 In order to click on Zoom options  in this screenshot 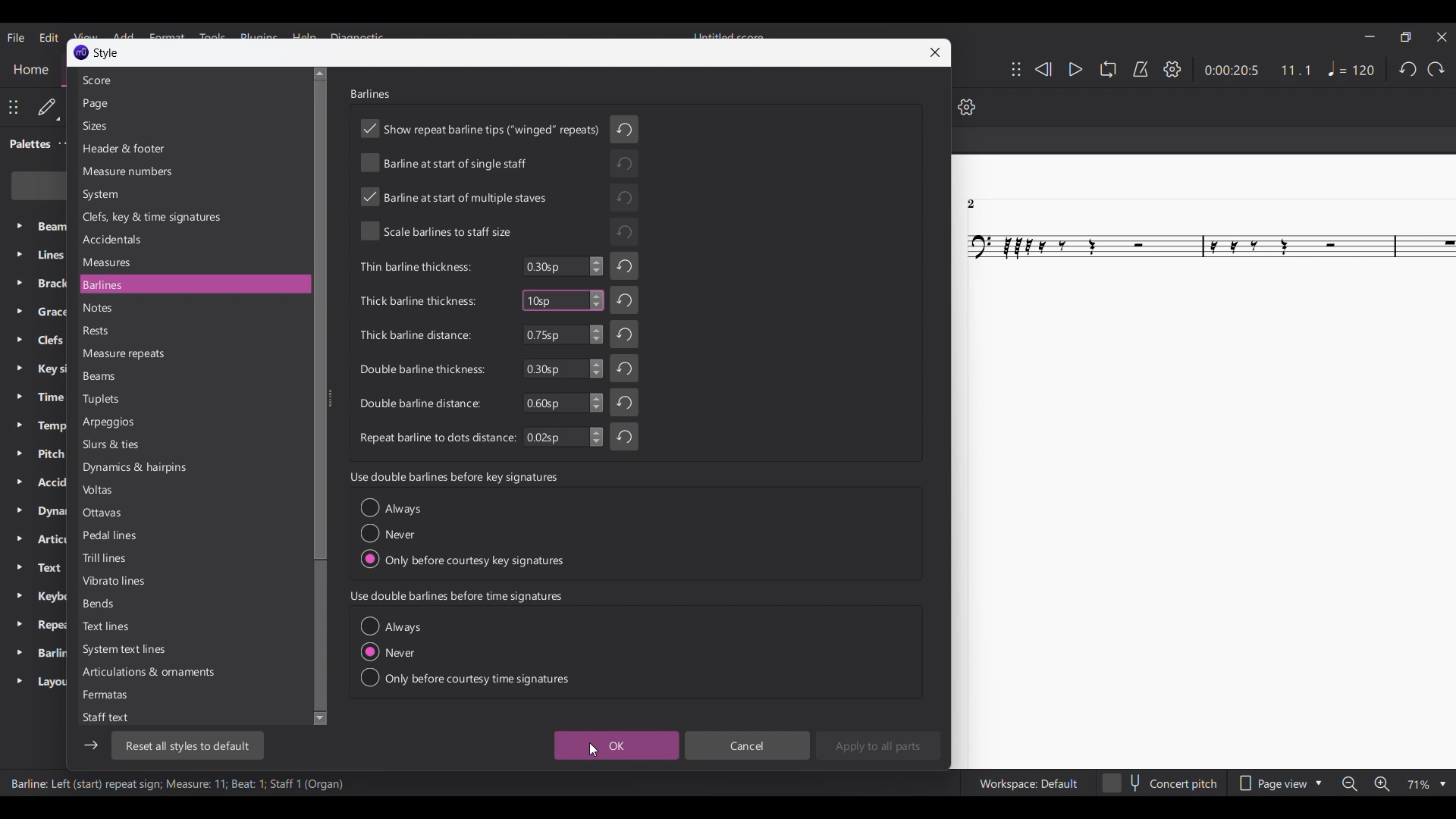, I will do `click(1426, 785)`.